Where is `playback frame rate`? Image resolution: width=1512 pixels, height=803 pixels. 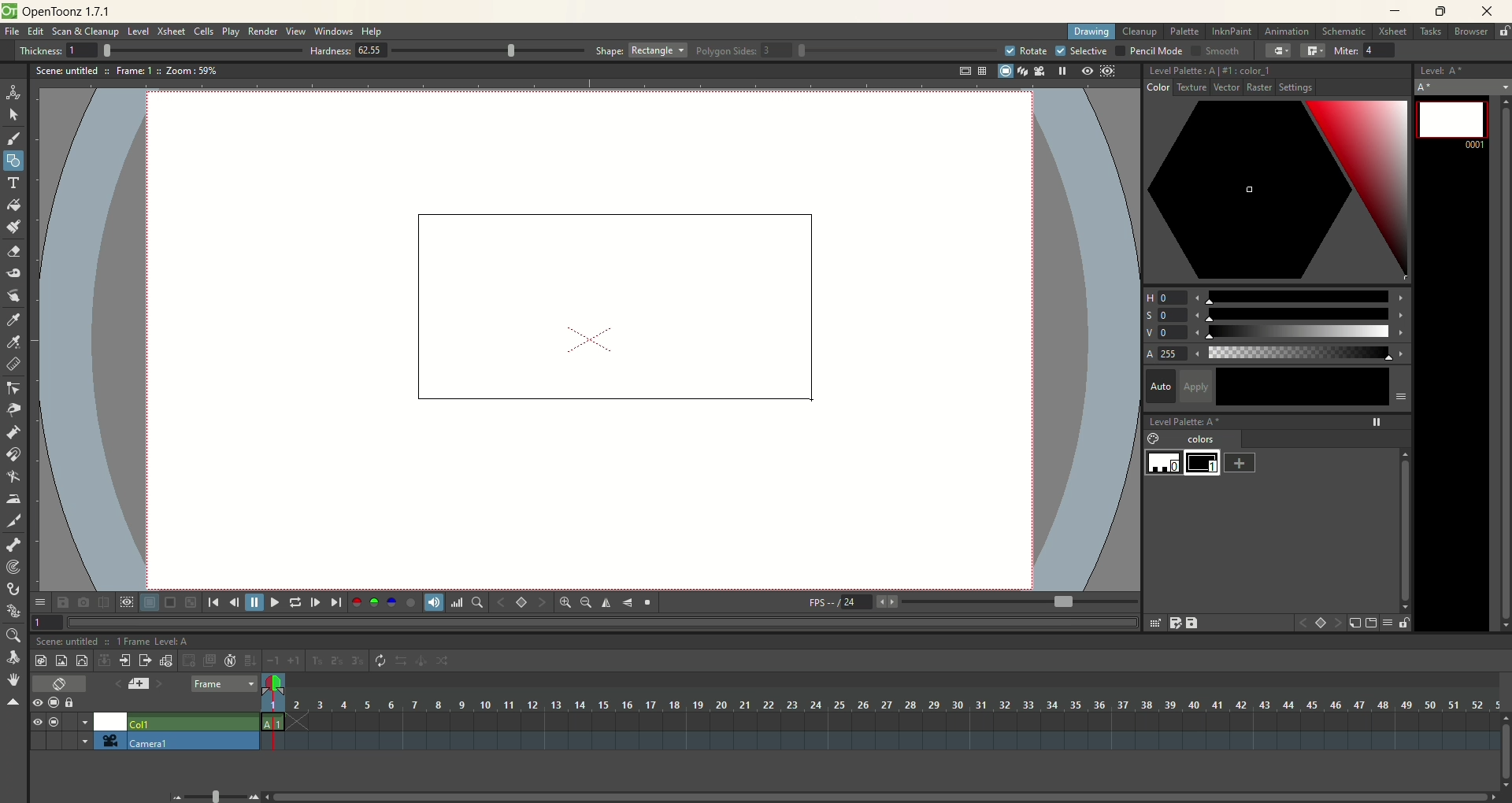
playback frame rate is located at coordinates (856, 605).